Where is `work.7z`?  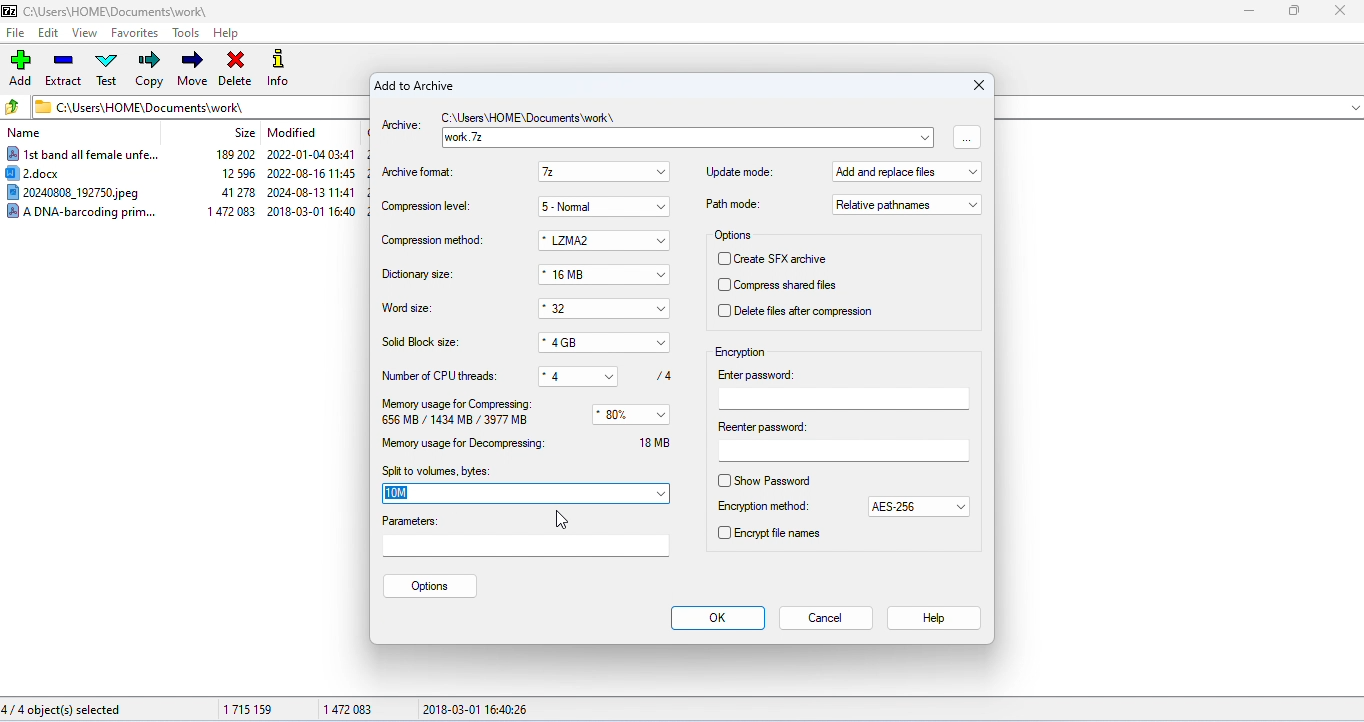
work.7z is located at coordinates (673, 138).